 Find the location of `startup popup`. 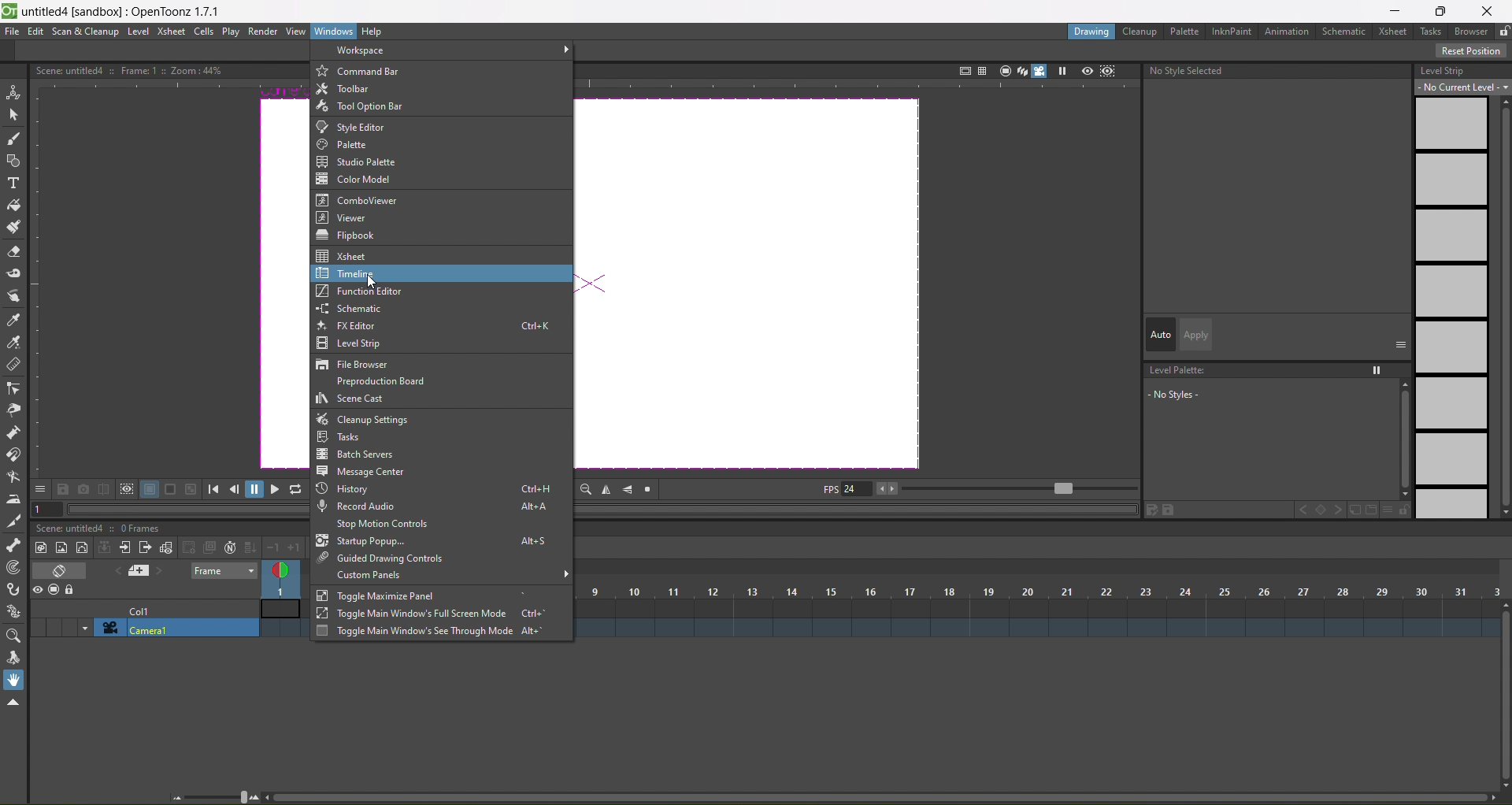

startup popup is located at coordinates (442, 542).